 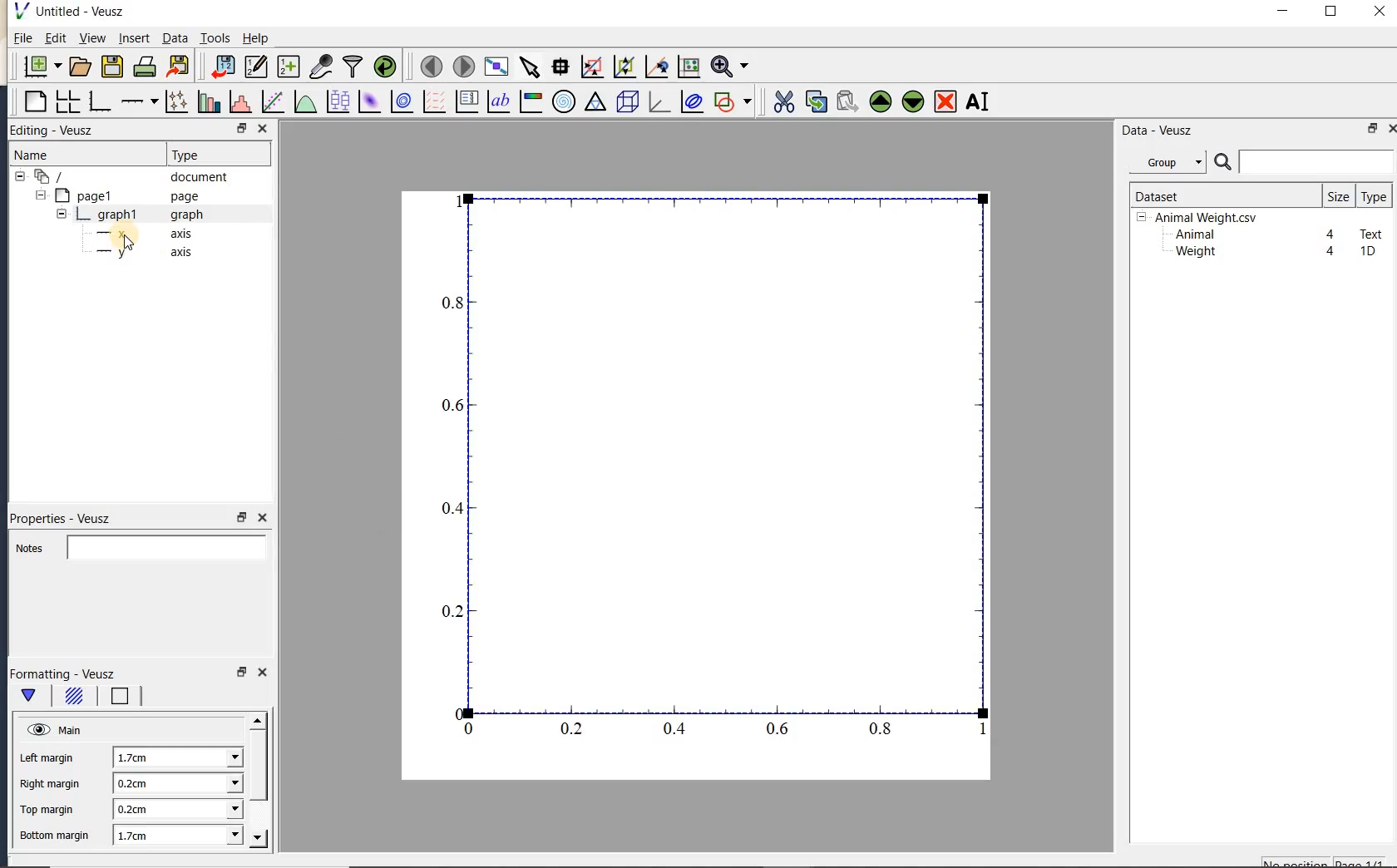 I want to click on Main, so click(x=57, y=731).